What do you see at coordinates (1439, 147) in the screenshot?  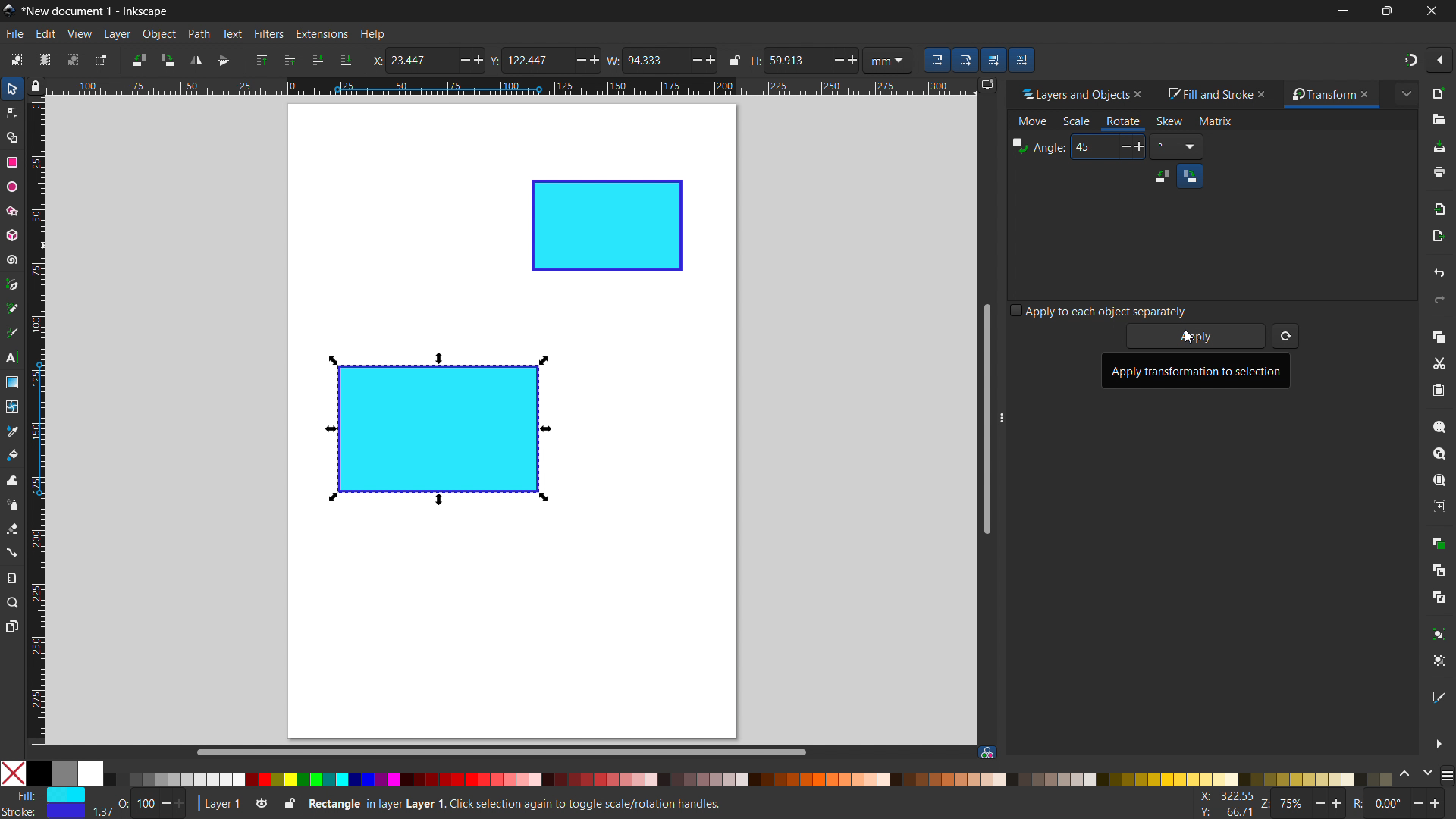 I see `save` at bounding box center [1439, 147].